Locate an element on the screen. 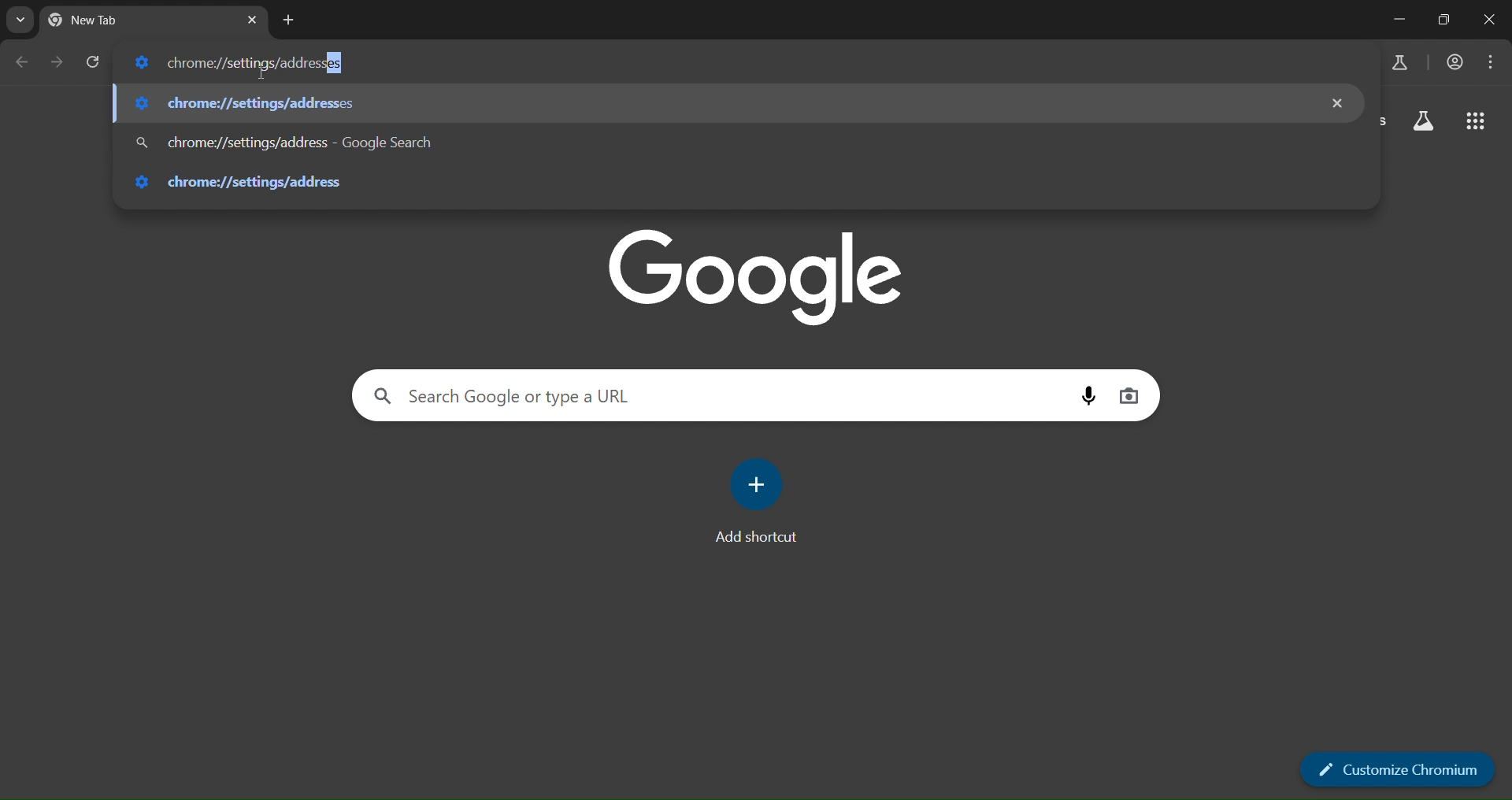  add shortcut is located at coordinates (759, 483).